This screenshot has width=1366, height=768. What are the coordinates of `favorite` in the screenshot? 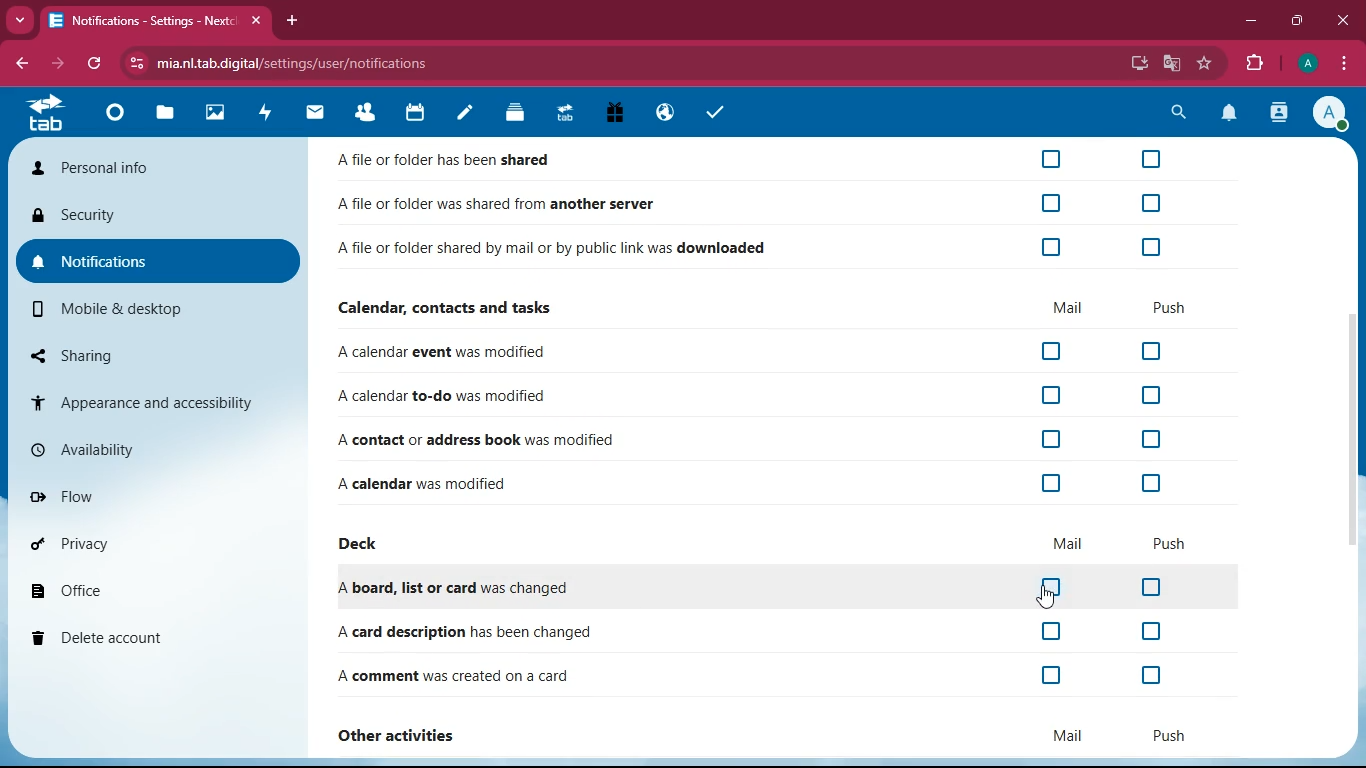 It's located at (1206, 63).